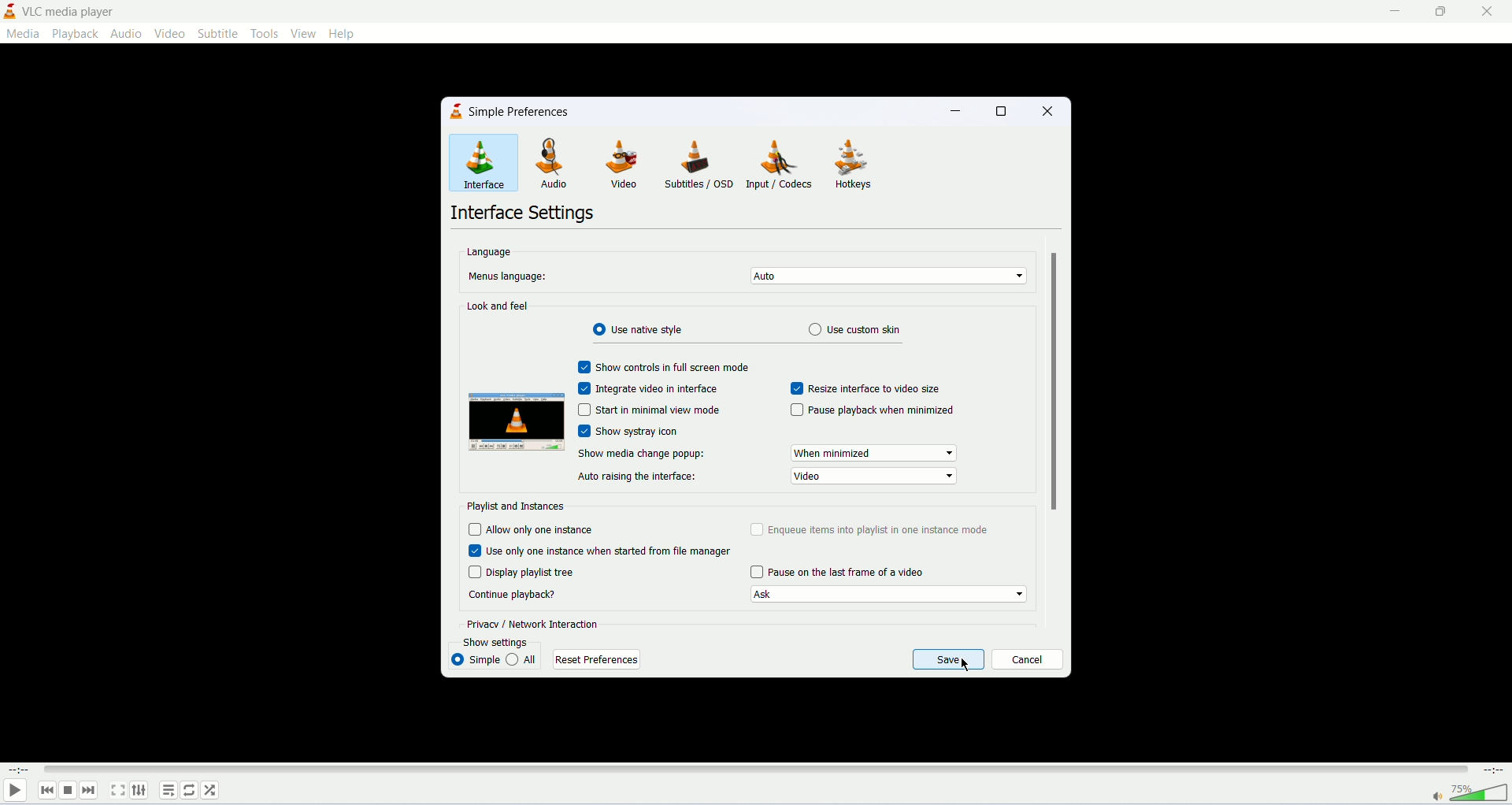 This screenshot has height=805, width=1512. Describe the element at coordinates (143, 792) in the screenshot. I see `extended settings` at that location.